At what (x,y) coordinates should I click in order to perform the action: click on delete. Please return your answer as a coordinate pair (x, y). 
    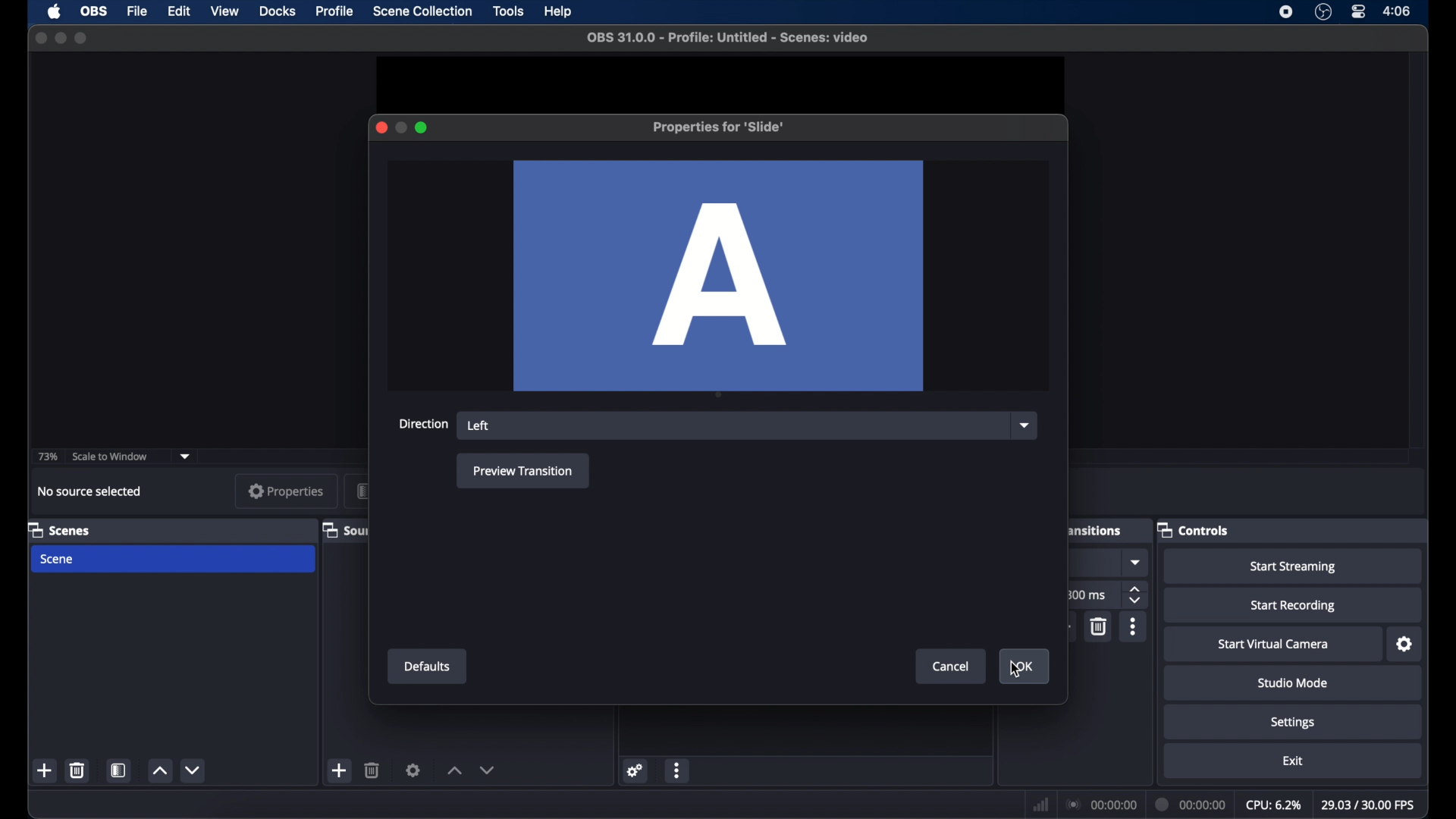
    Looking at the image, I should click on (372, 770).